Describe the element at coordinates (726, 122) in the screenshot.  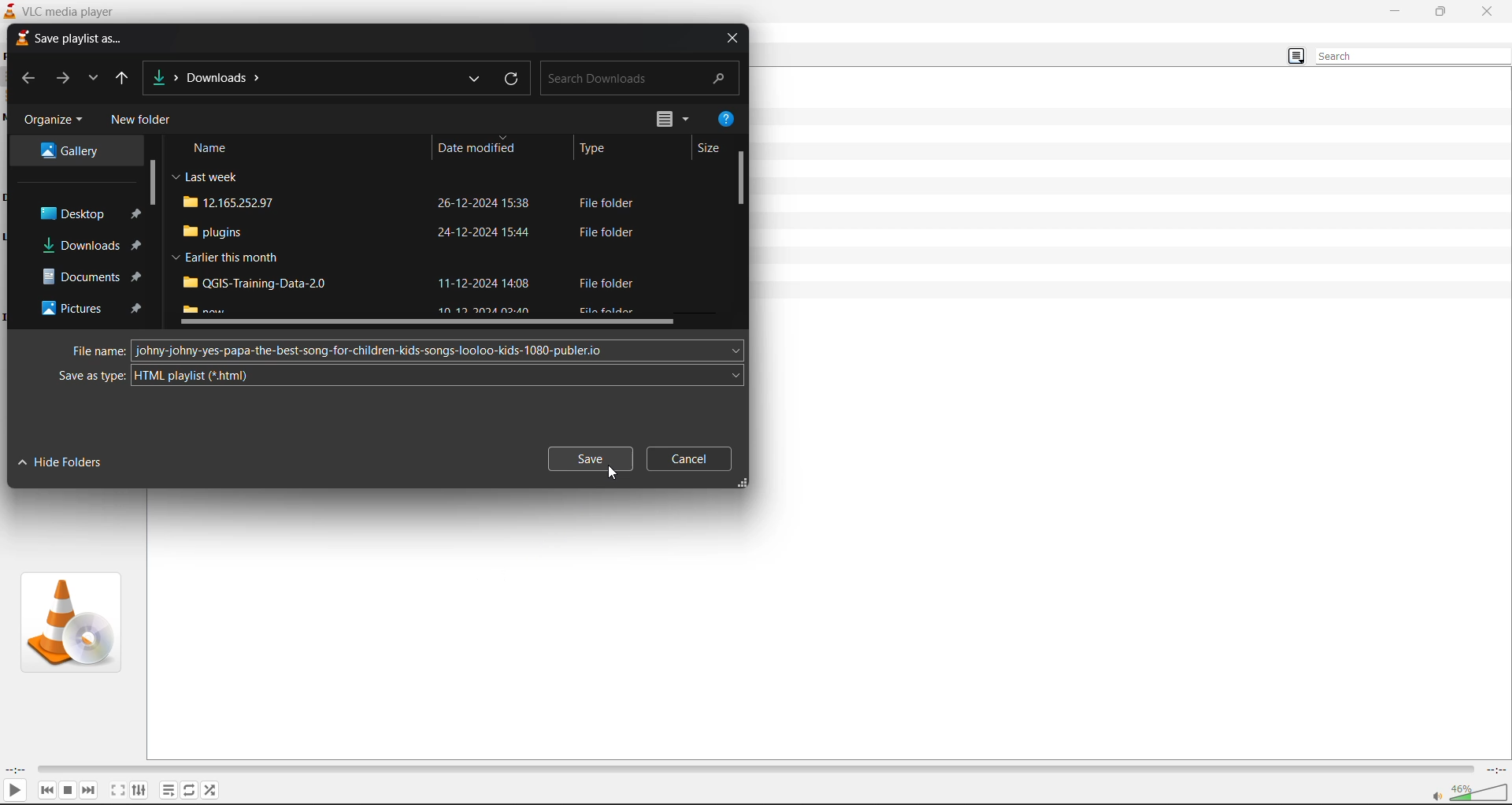
I see `help` at that location.